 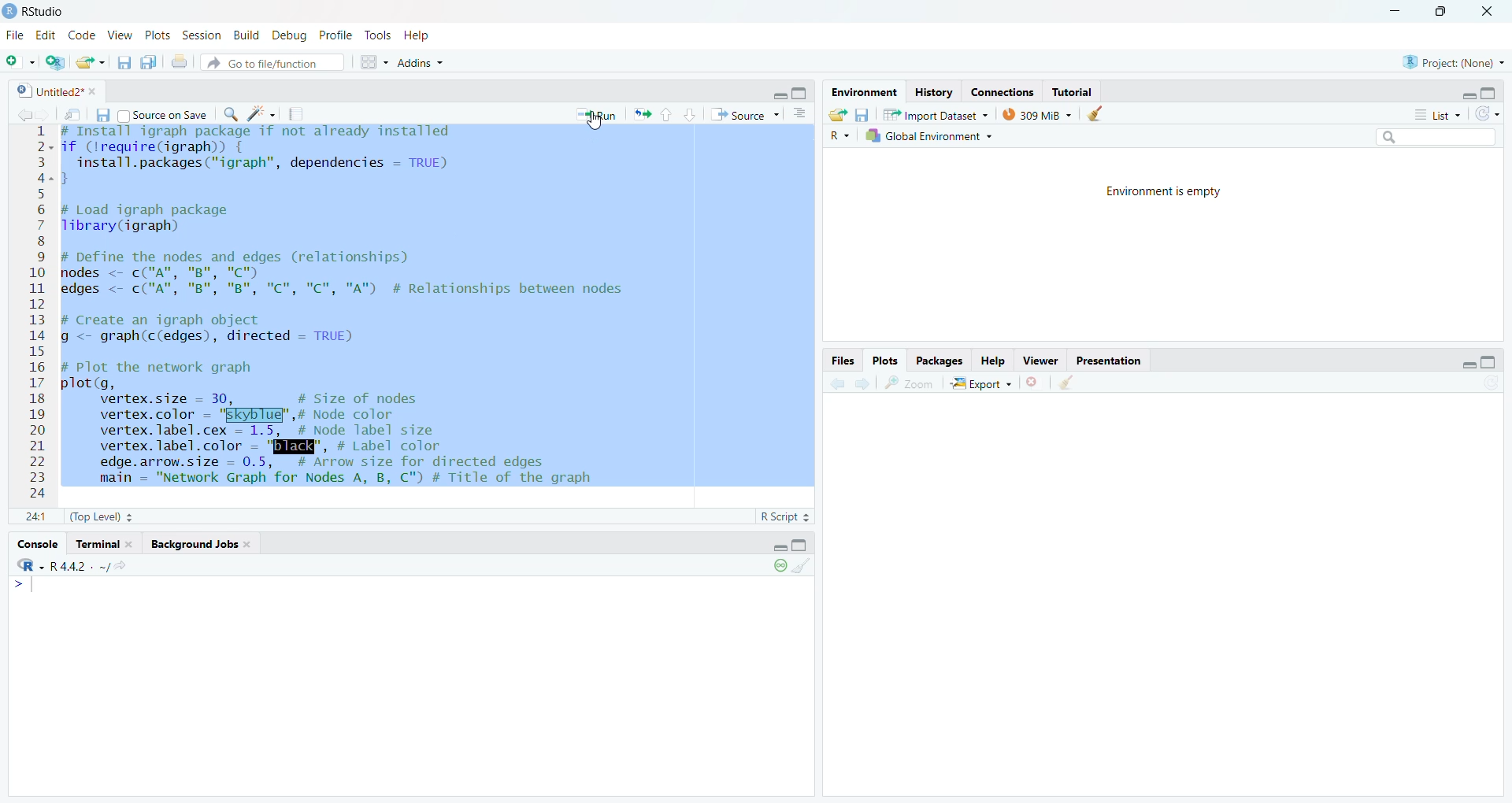 What do you see at coordinates (1491, 361) in the screenshot?
I see `maximise` at bounding box center [1491, 361].